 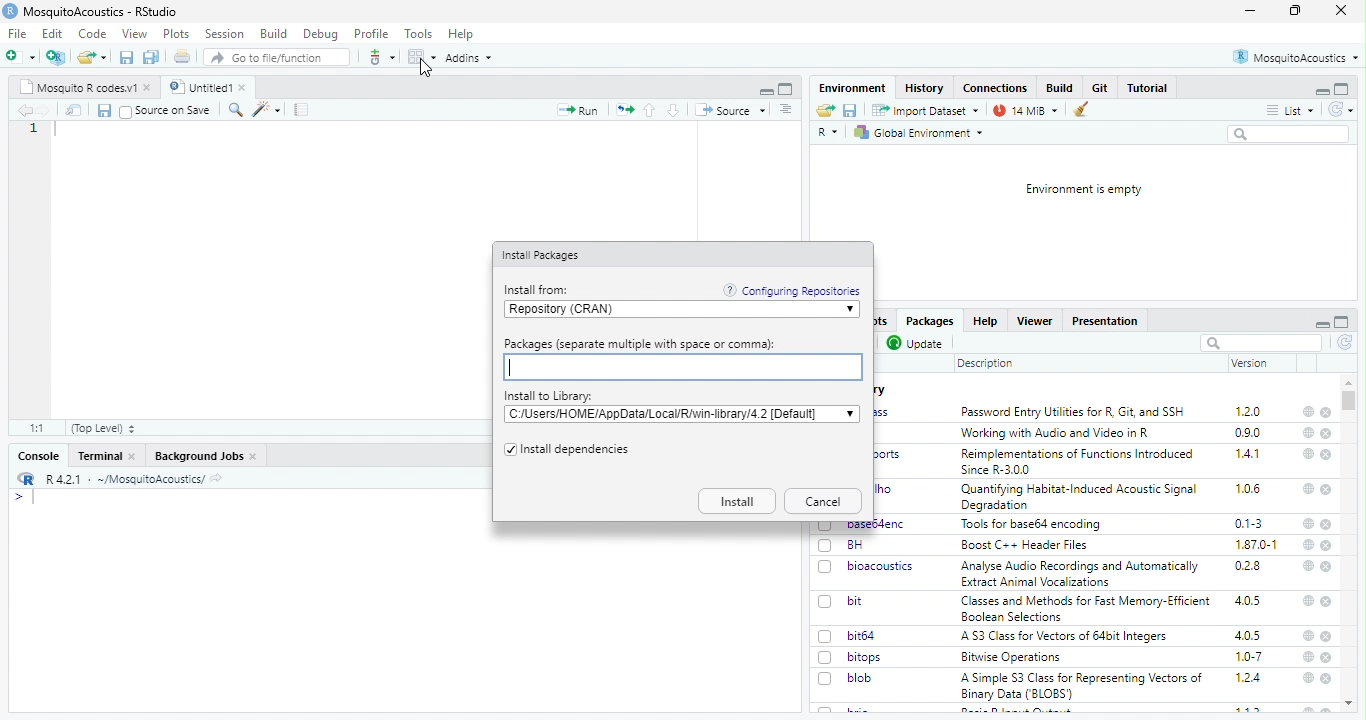 I want to click on Install Packages, so click(x=543, y=256).